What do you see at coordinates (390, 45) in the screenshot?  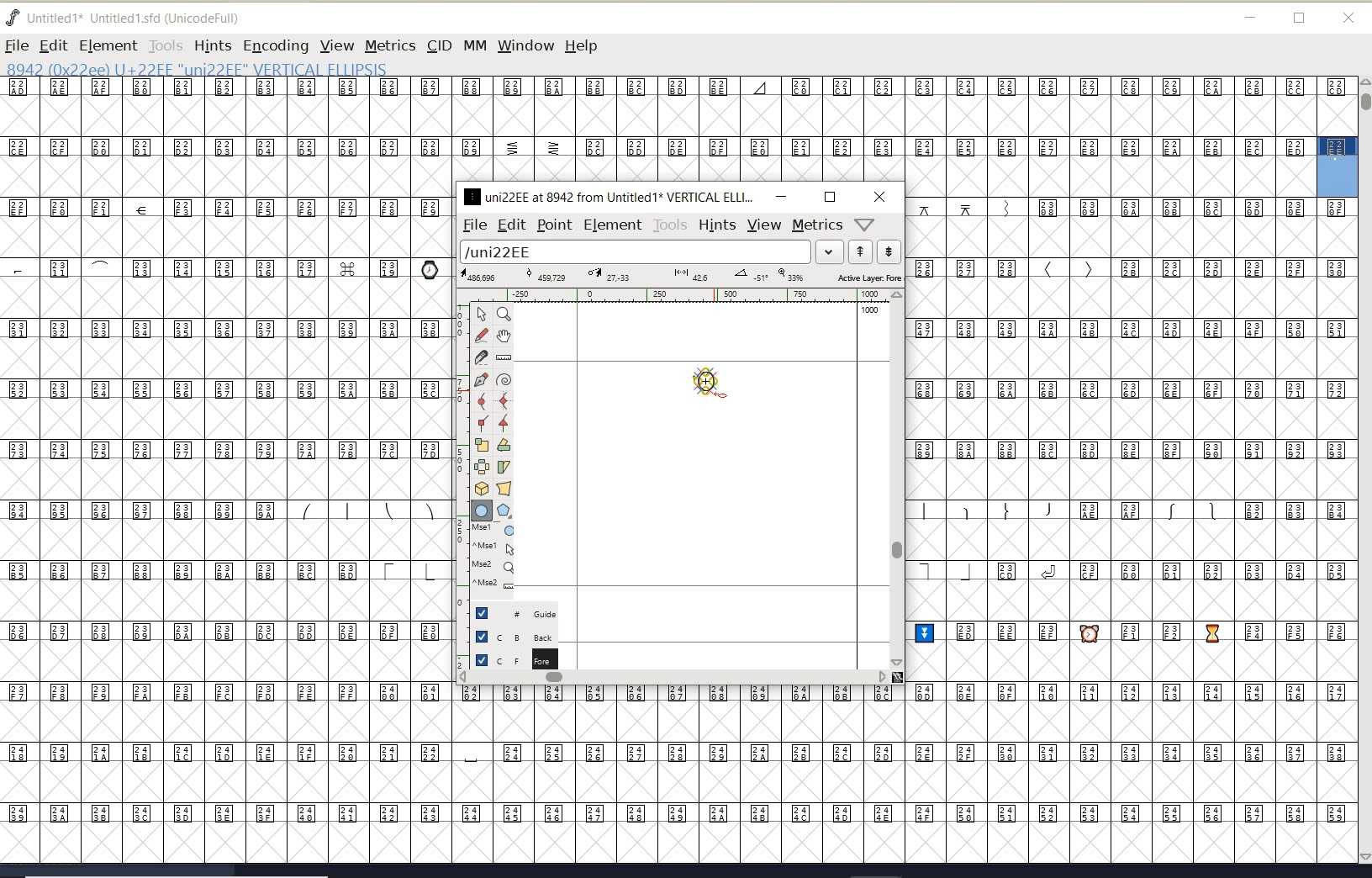 I see `METRICS` at bounding box center [390, 45].